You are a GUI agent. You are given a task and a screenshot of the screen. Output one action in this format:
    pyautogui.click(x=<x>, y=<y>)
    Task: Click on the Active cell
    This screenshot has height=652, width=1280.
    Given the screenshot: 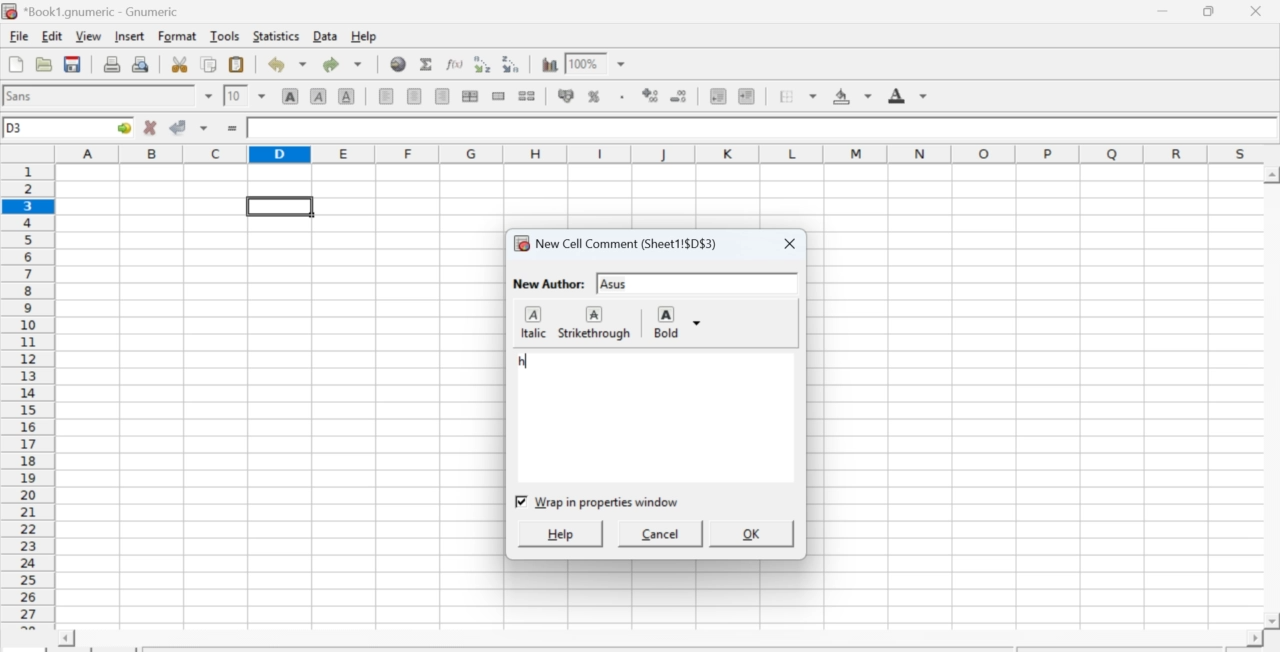 What is the action you would take?
    pyautogui.click(x=70, y=128)
    